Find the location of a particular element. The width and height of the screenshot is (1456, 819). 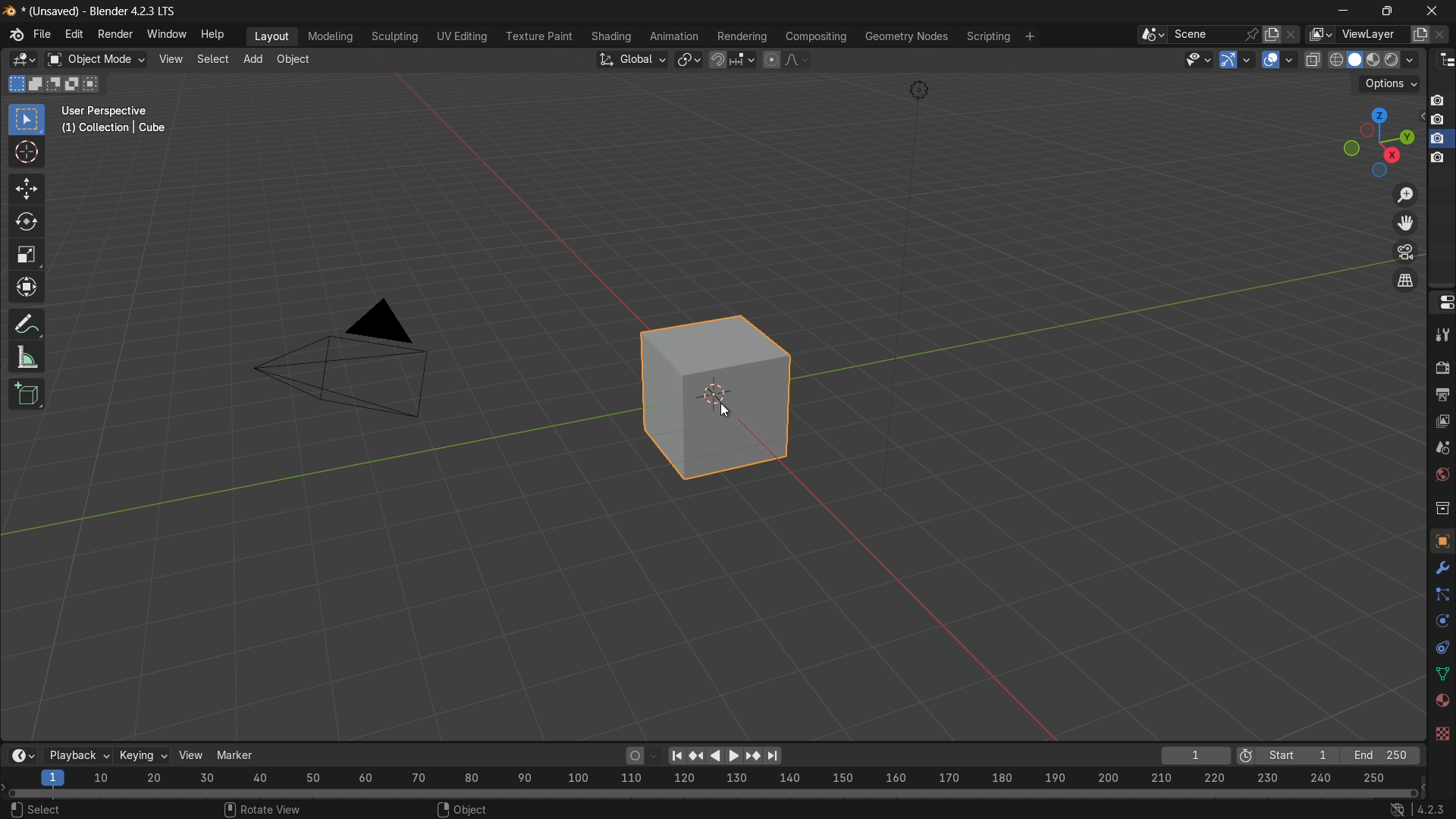

jump to keyframe is located at coordinates (751, 757).